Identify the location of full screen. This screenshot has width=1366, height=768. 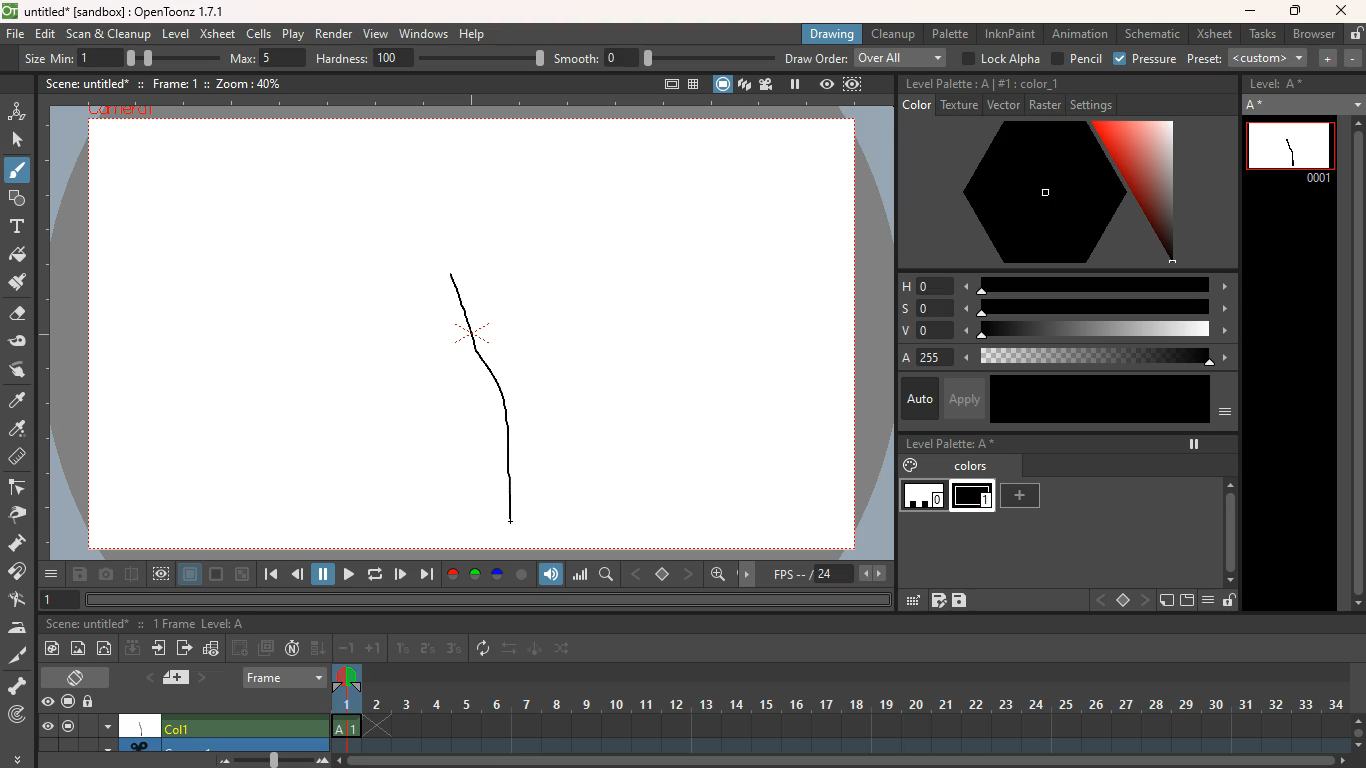
(663, 82).